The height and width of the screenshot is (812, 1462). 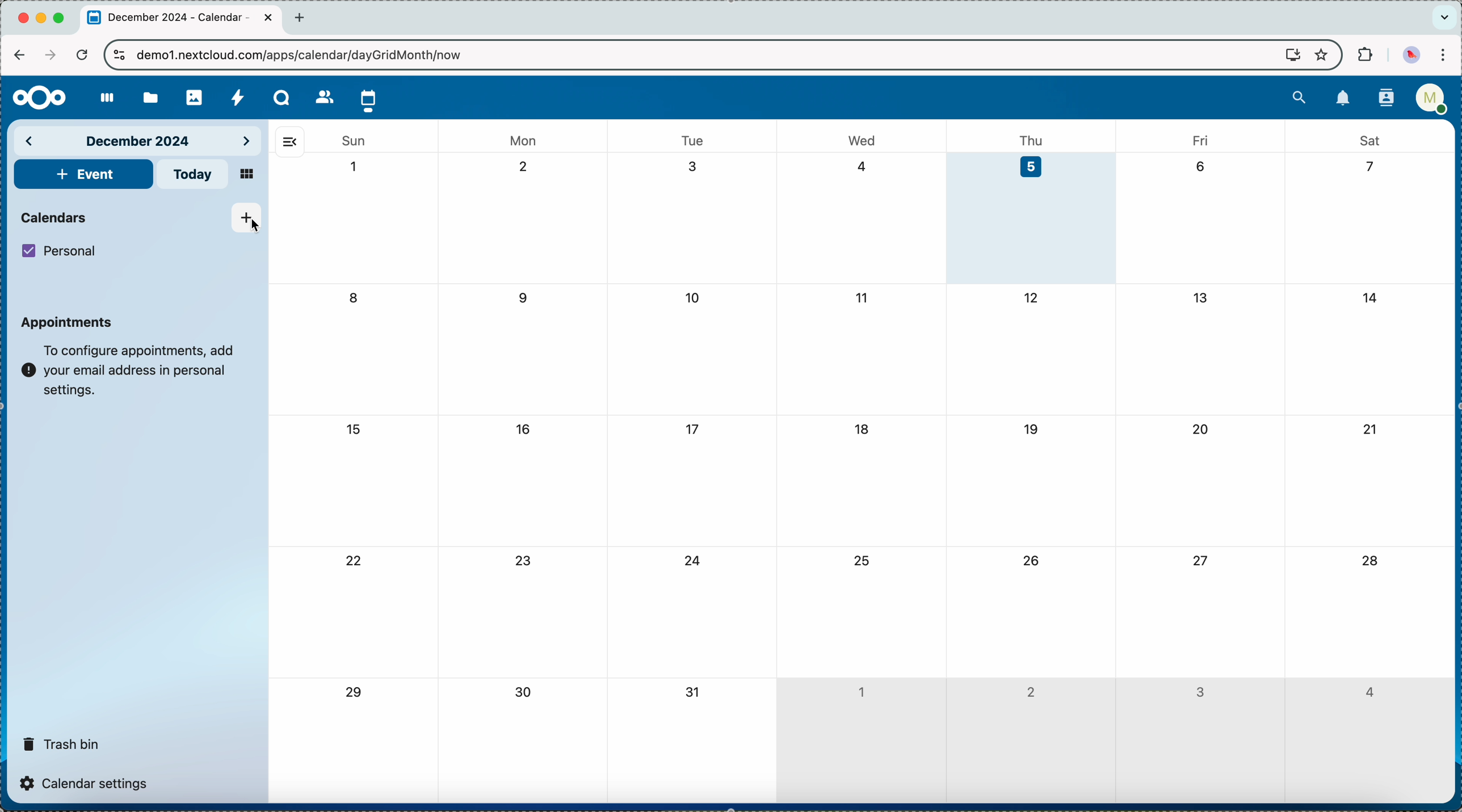 What do you see at coordinates (1299, 96) in the screenshot?
I see `search` at bounding box center [1299, 96].